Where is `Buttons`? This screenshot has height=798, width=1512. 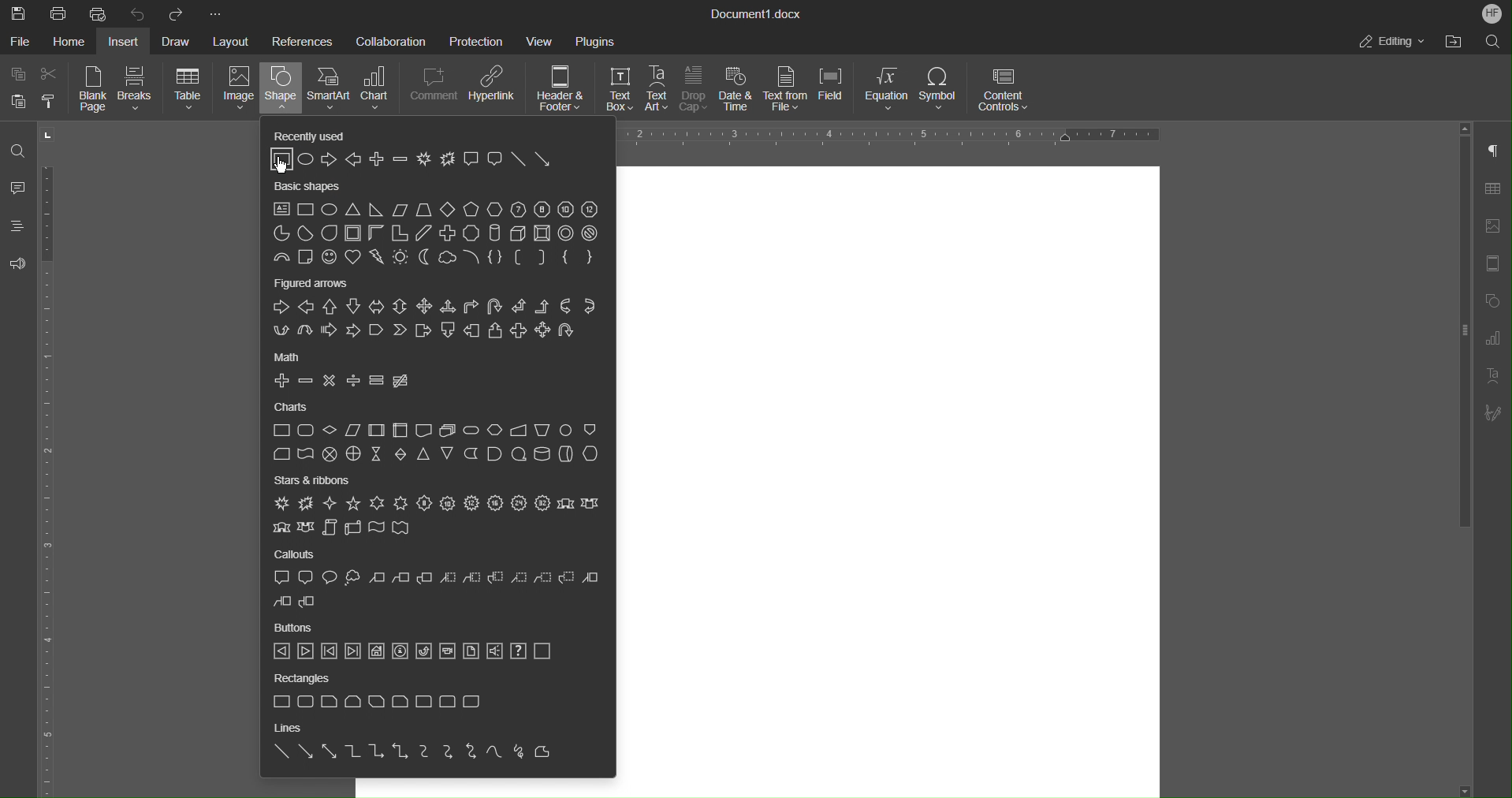 Buttons is located at coordinates (296, 628).